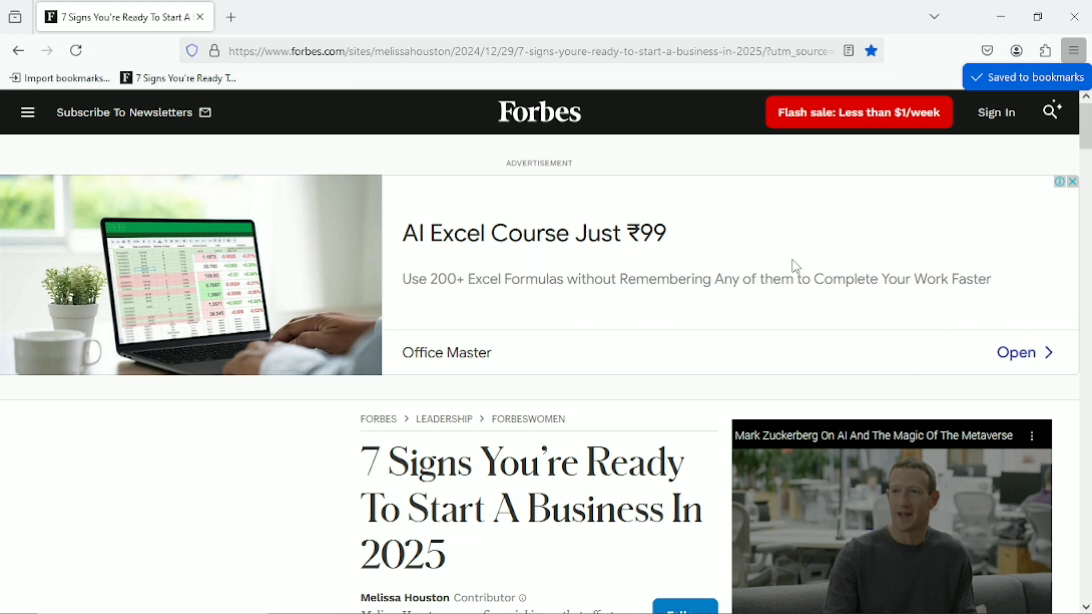 Image resolution: width=1092 pixels, height=614 pixels. Describe the element at coordinates (181, 79) in the screenshot. I see `Bookmark` at that location.